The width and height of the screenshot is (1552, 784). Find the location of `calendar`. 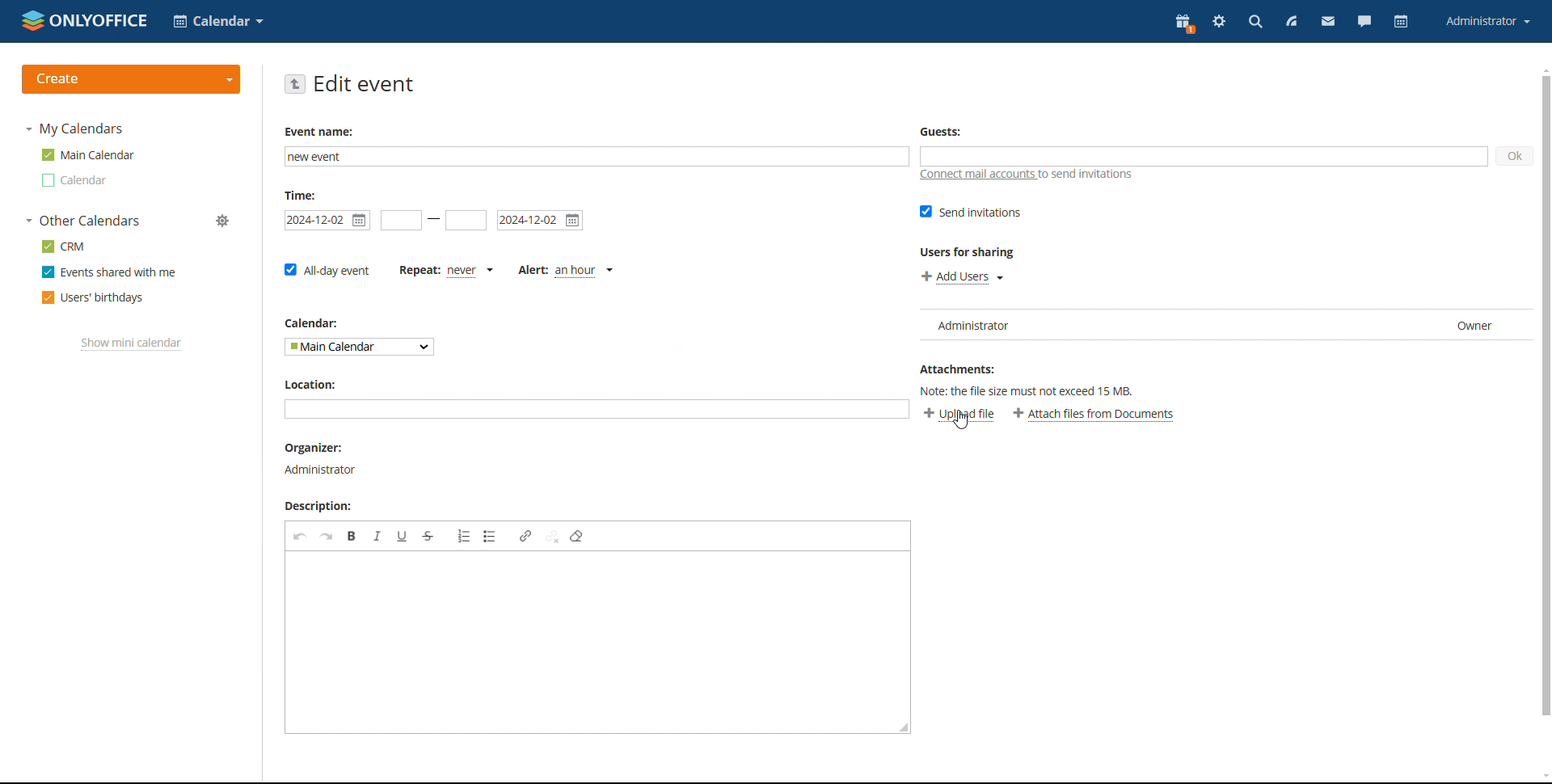

calendar is located at coordinates (309, 325).